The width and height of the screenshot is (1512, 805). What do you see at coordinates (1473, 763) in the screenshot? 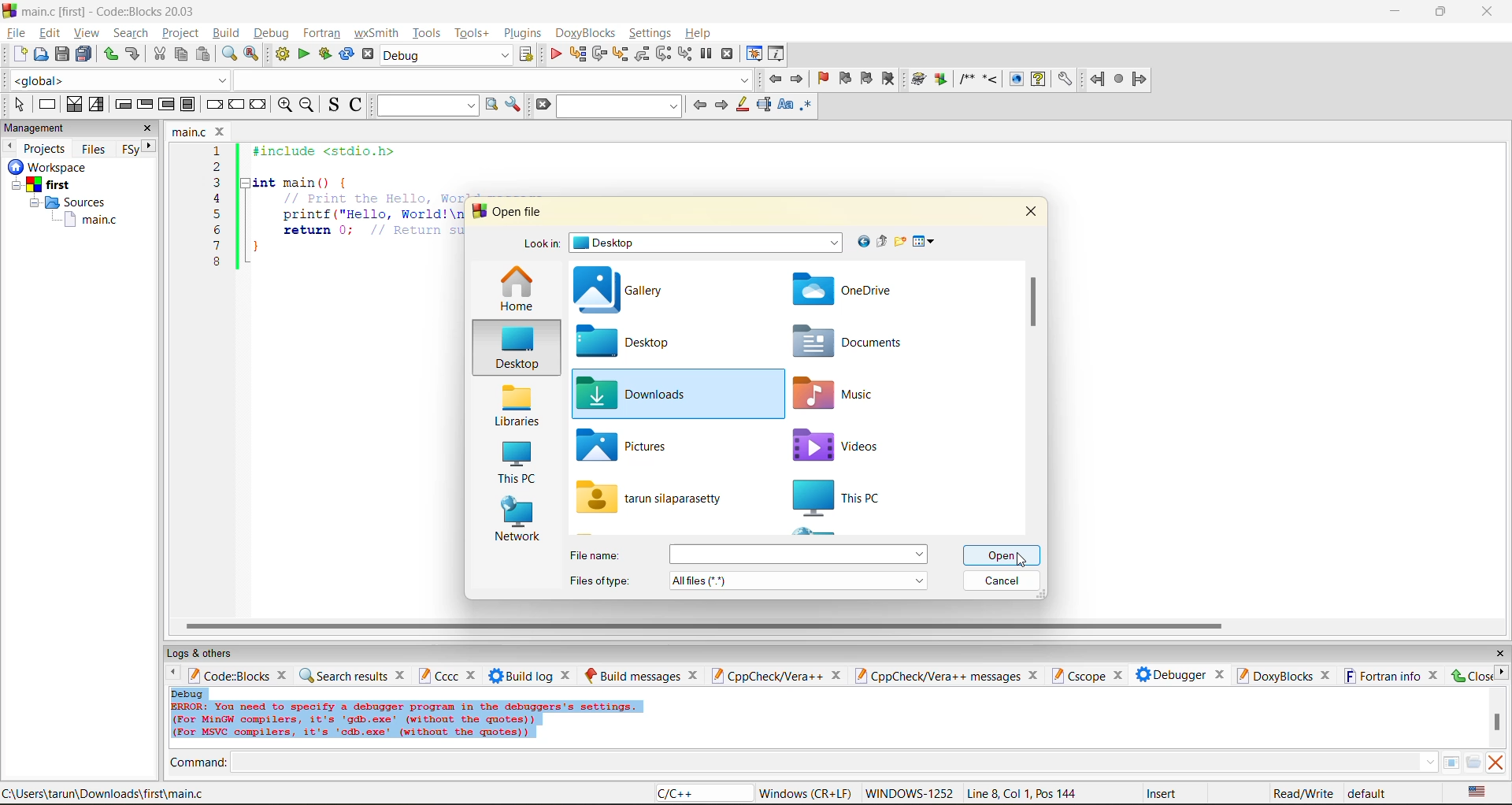
I see `open/browse` at bounding box center [1473, 763].